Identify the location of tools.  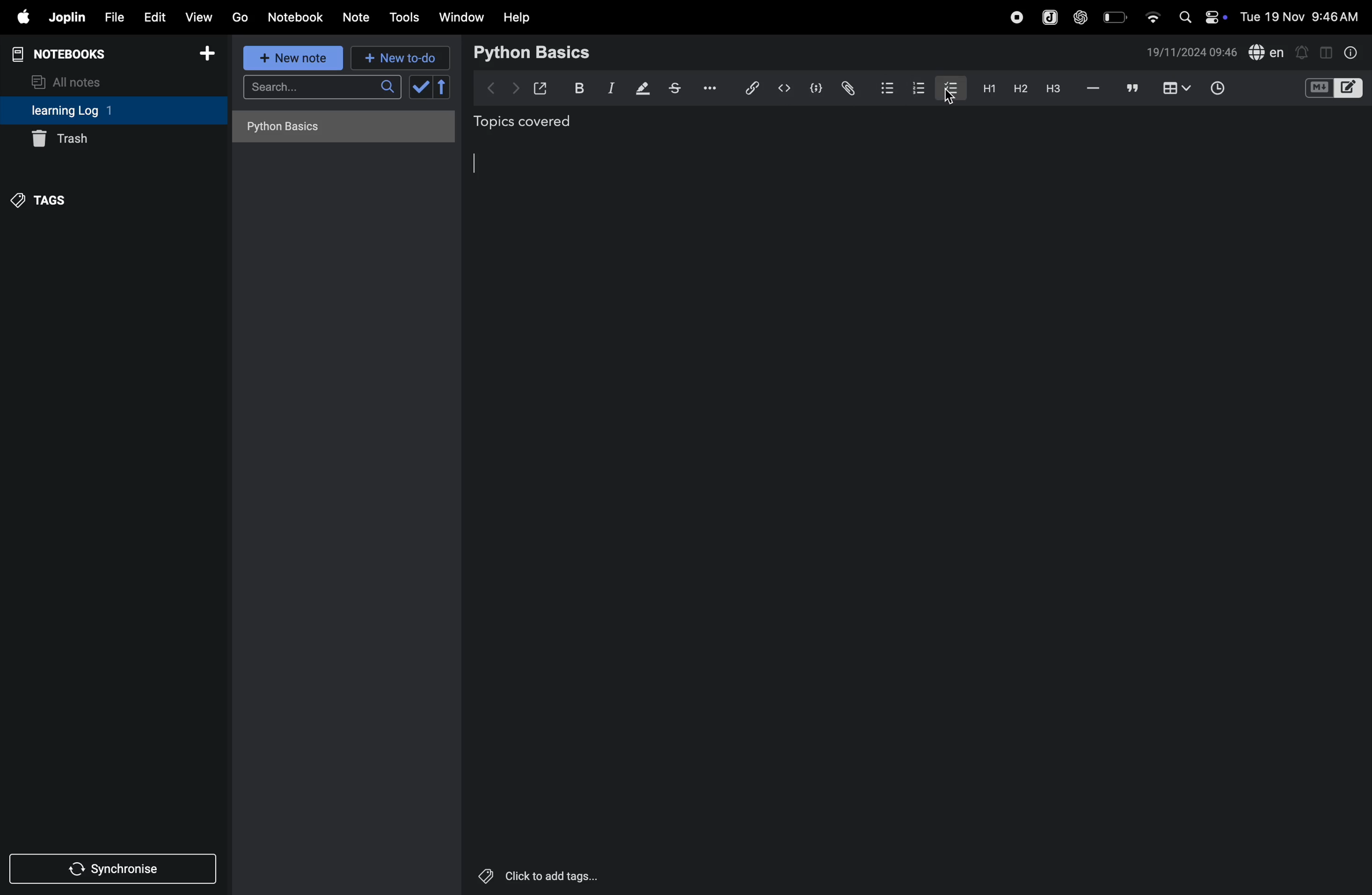
(402, 17).